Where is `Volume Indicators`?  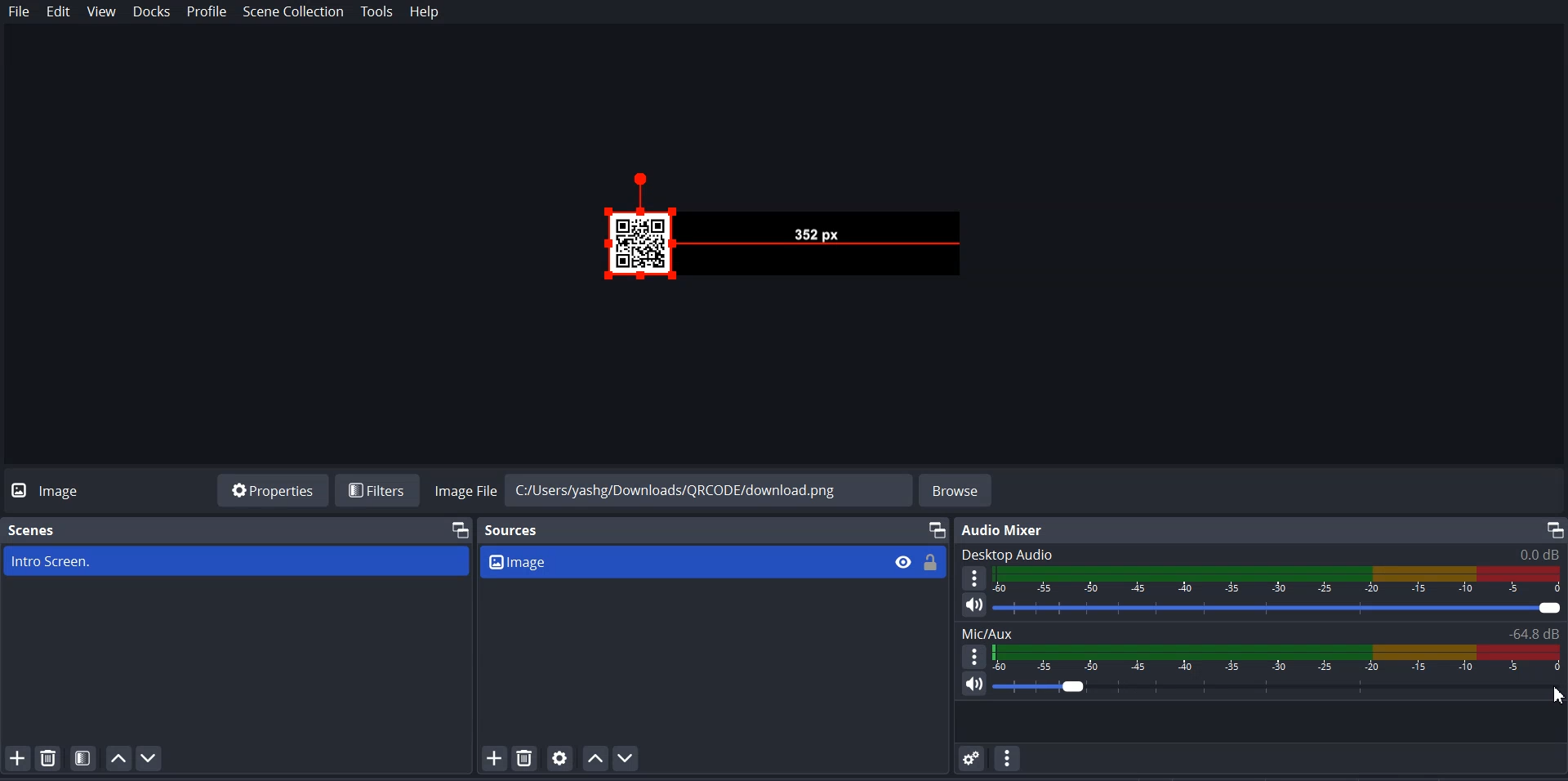
Volume Indicators is located at coordinates (1280, 580).